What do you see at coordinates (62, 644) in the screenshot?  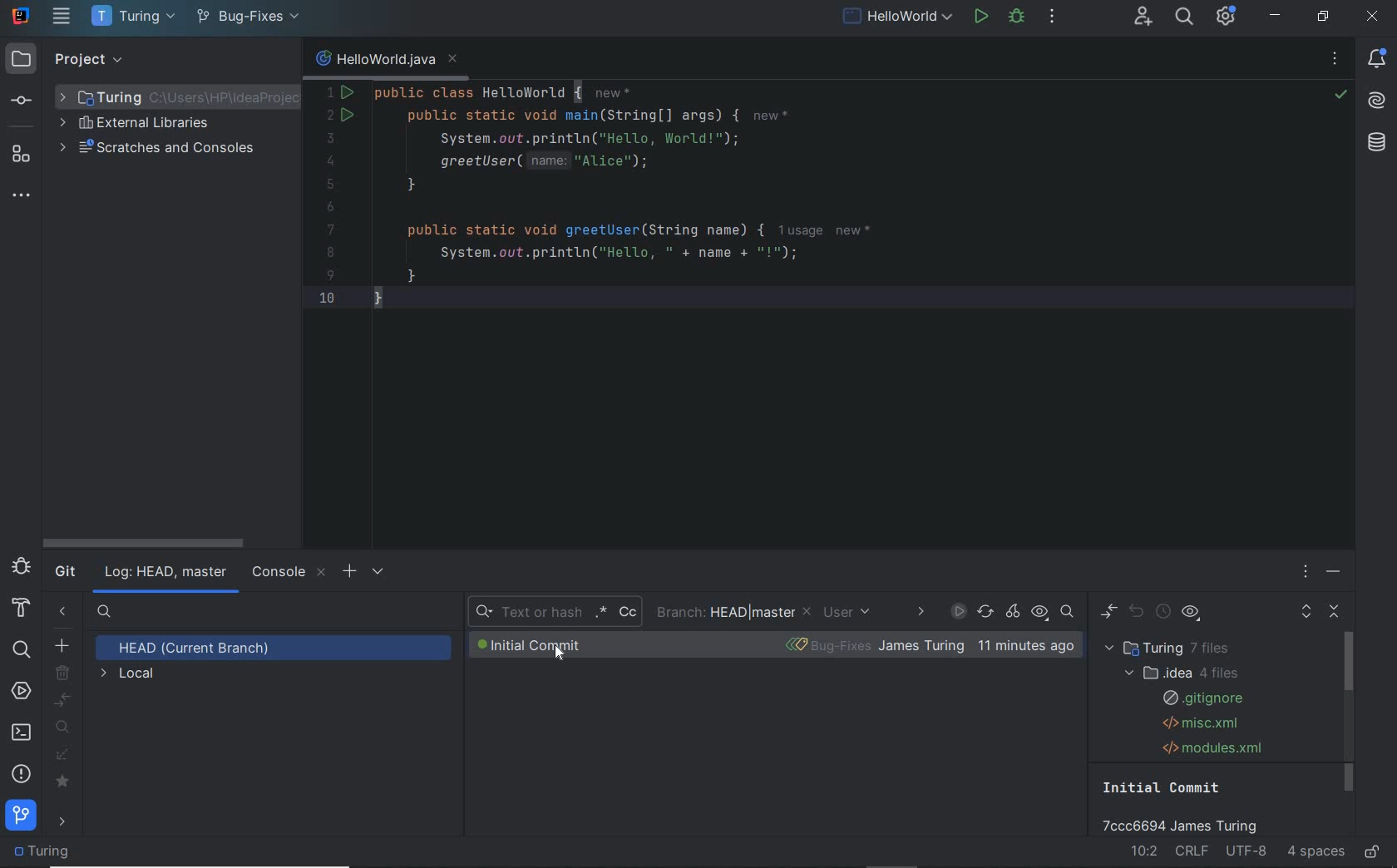 I see `new branch` at bounding box center [62, 644].